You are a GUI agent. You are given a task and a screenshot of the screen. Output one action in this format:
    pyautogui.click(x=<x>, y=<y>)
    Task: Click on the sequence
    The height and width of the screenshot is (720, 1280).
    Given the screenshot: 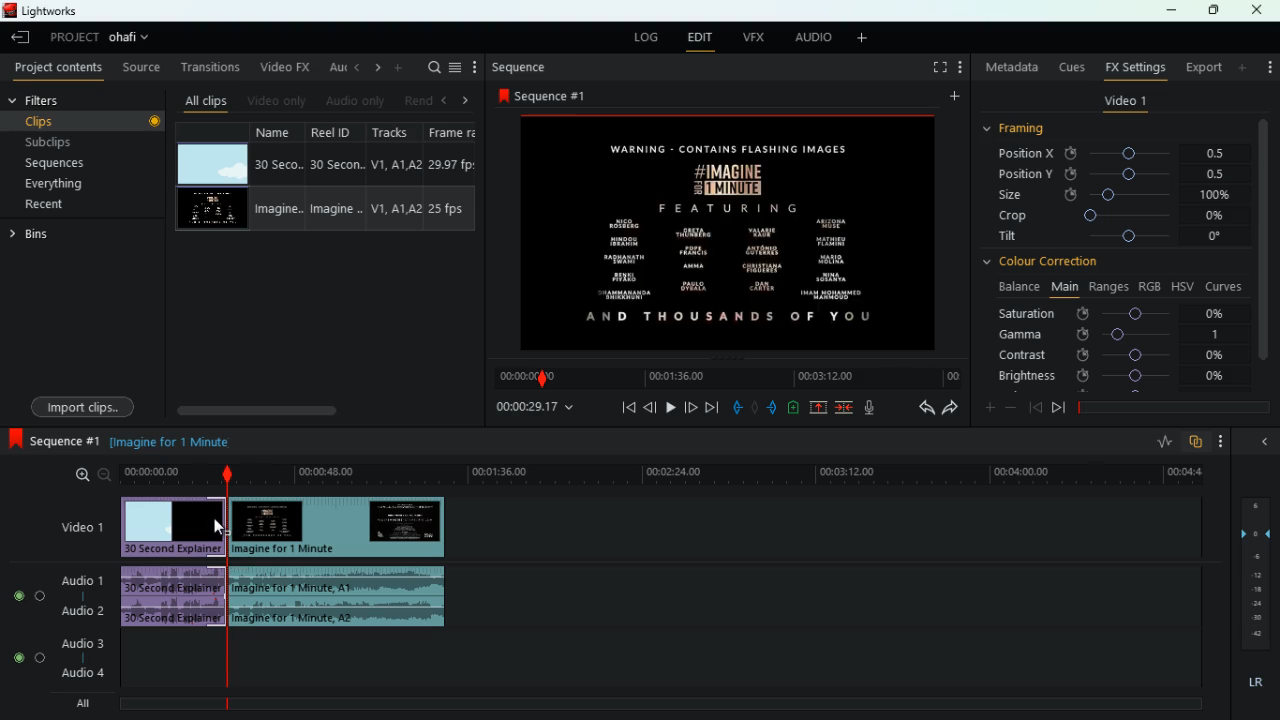 What is the action you would take?
    pyautogui.click(x=521, y=67)
    